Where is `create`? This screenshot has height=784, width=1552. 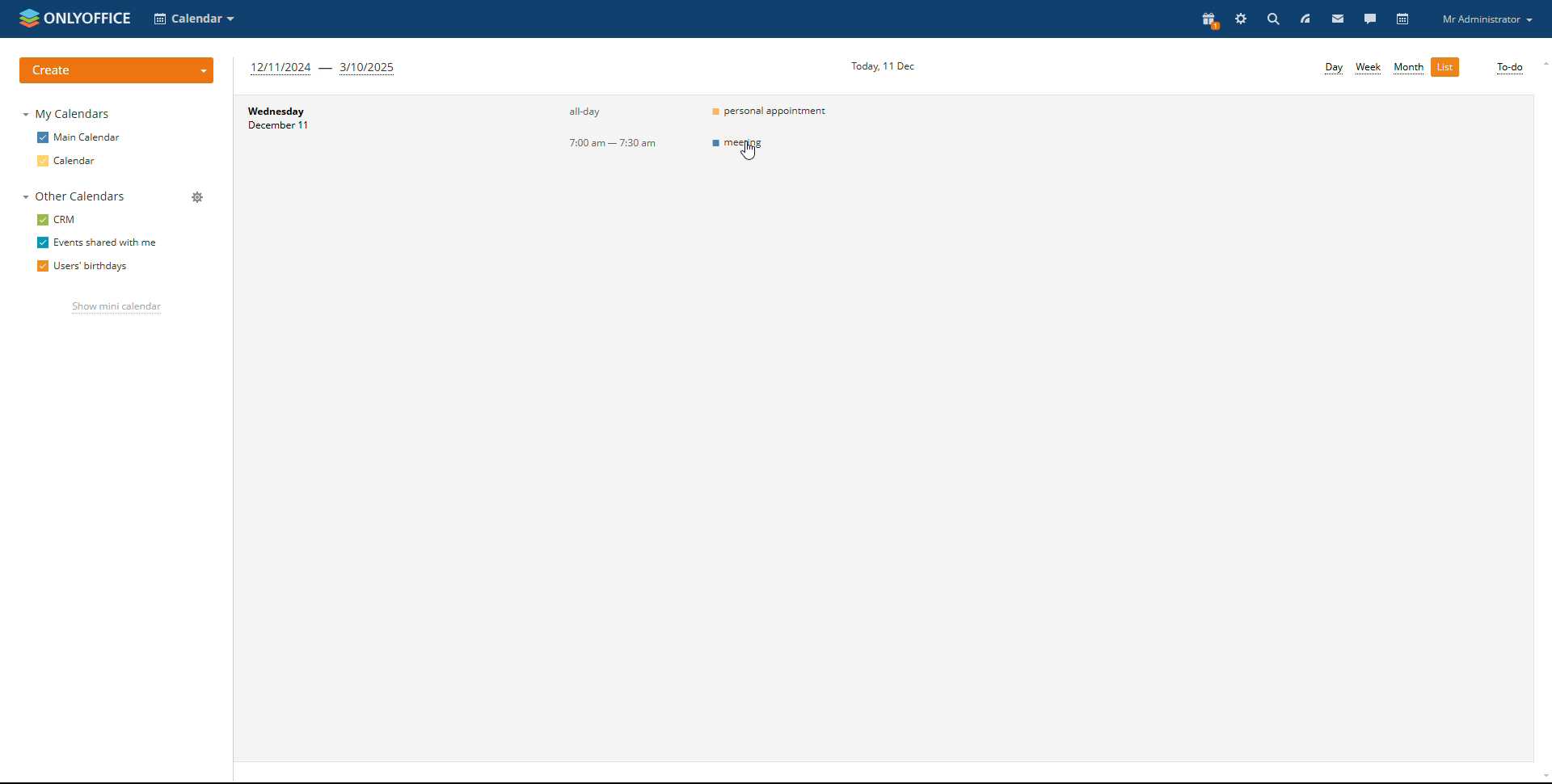 create is located at coordinates (116, 70).